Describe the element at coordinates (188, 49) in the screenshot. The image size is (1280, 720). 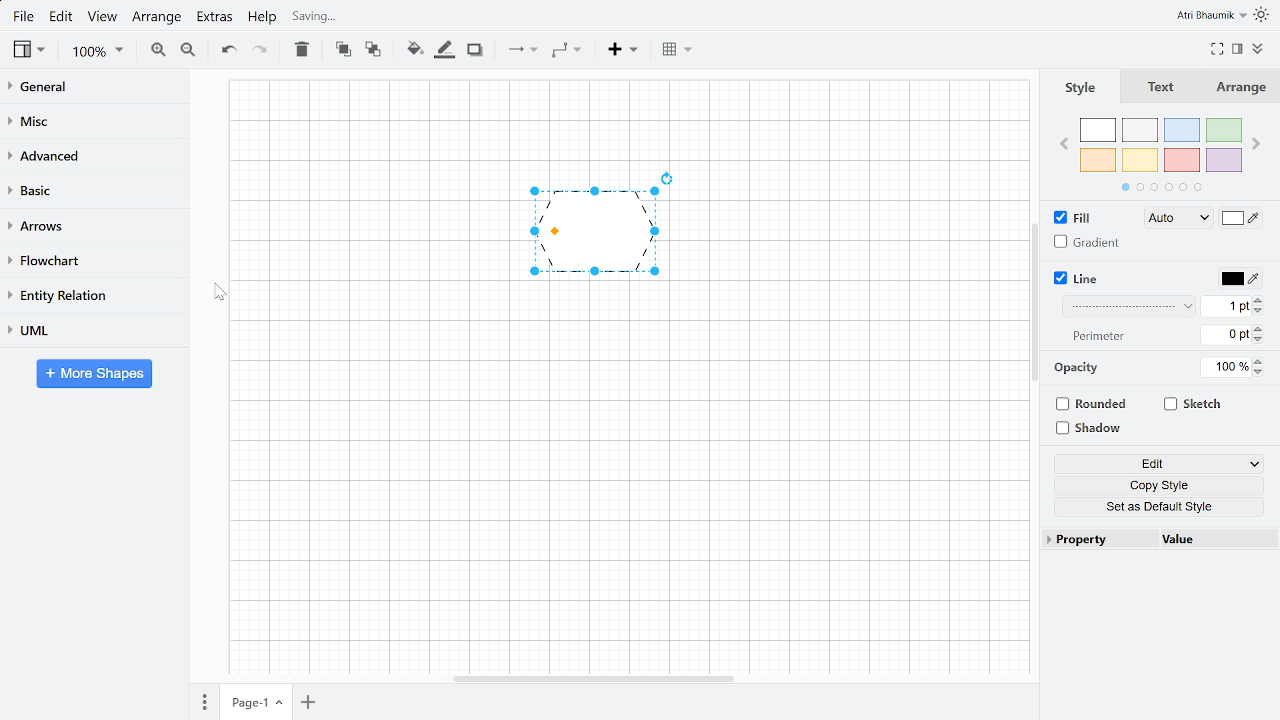
I see `Zoom out` at that location.